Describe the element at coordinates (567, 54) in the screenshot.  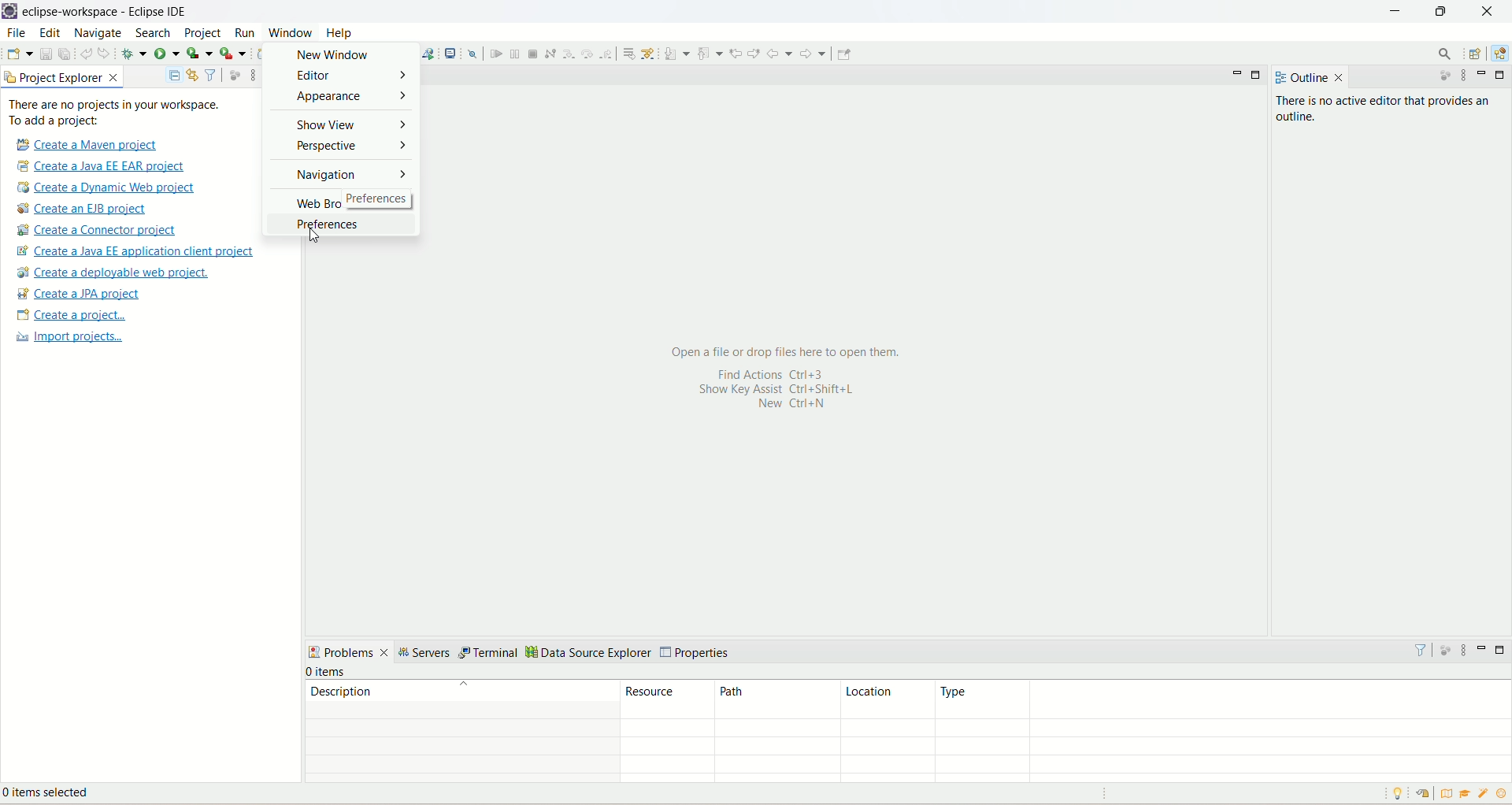
I see `step into` at that location.